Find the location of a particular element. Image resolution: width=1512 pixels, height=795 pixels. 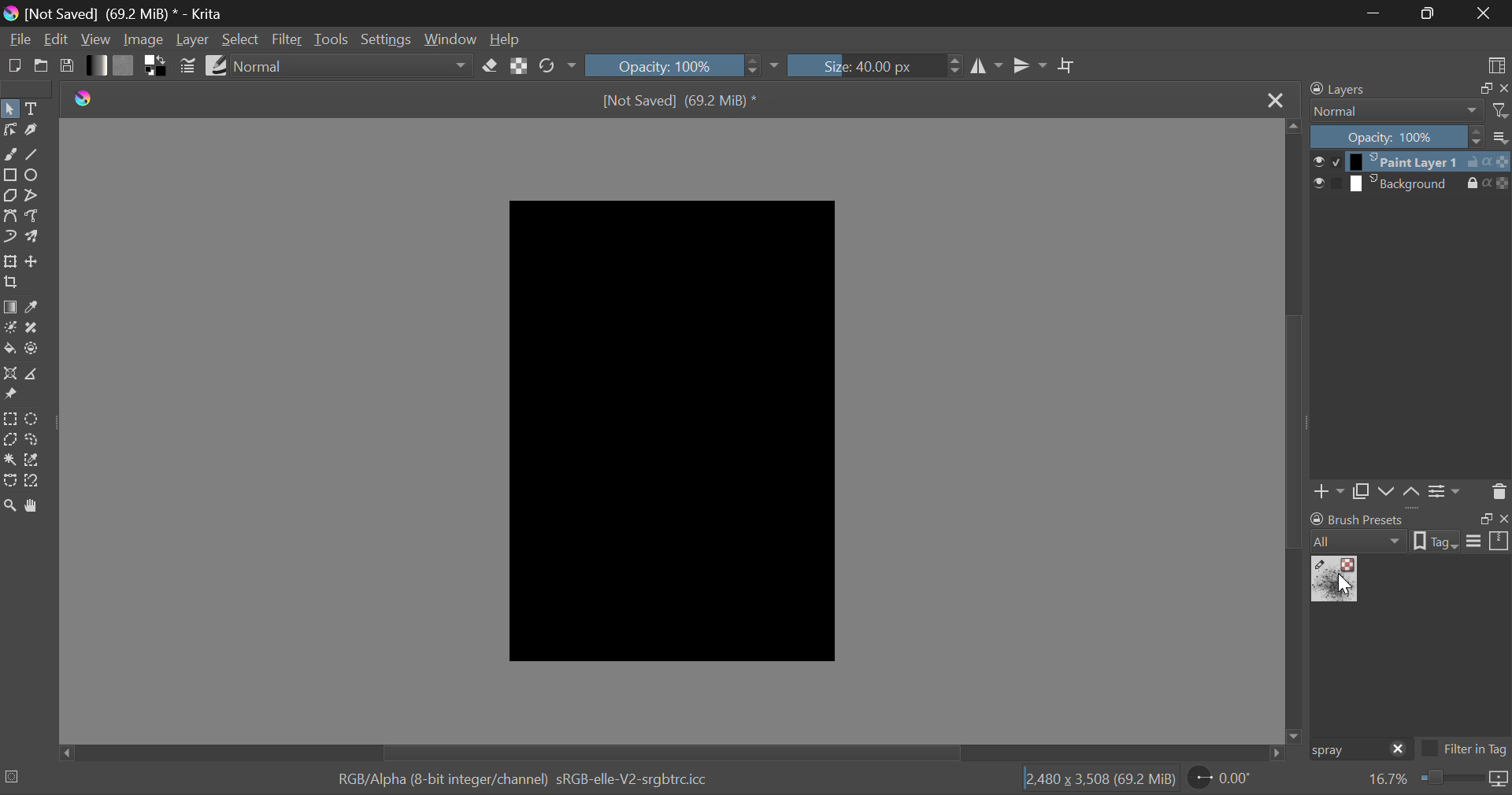

Brush Preset Search: "spray" is located at coordinates (1346, 750).